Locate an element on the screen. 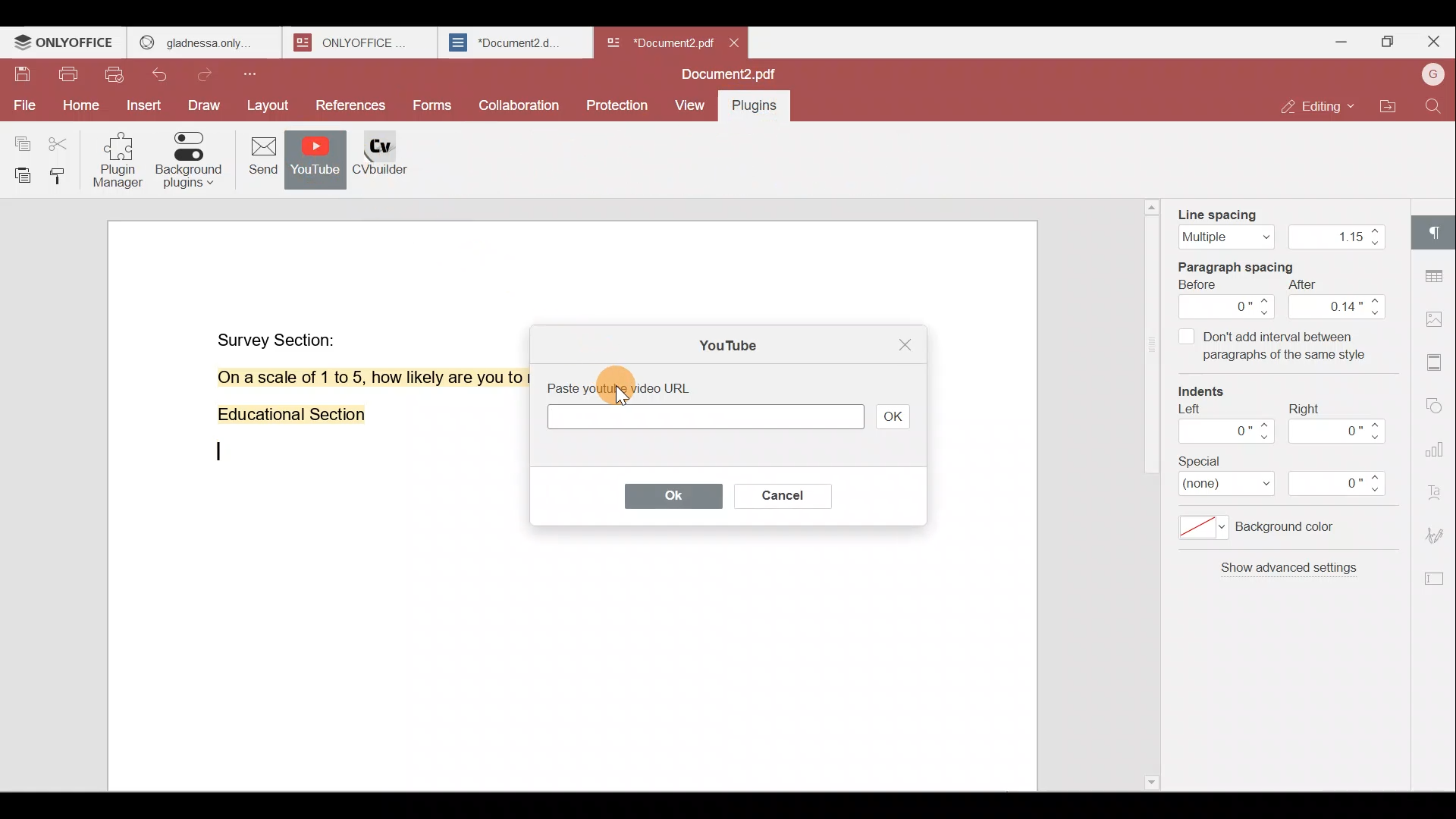  Minimize is located at coordinates (1337, 40).